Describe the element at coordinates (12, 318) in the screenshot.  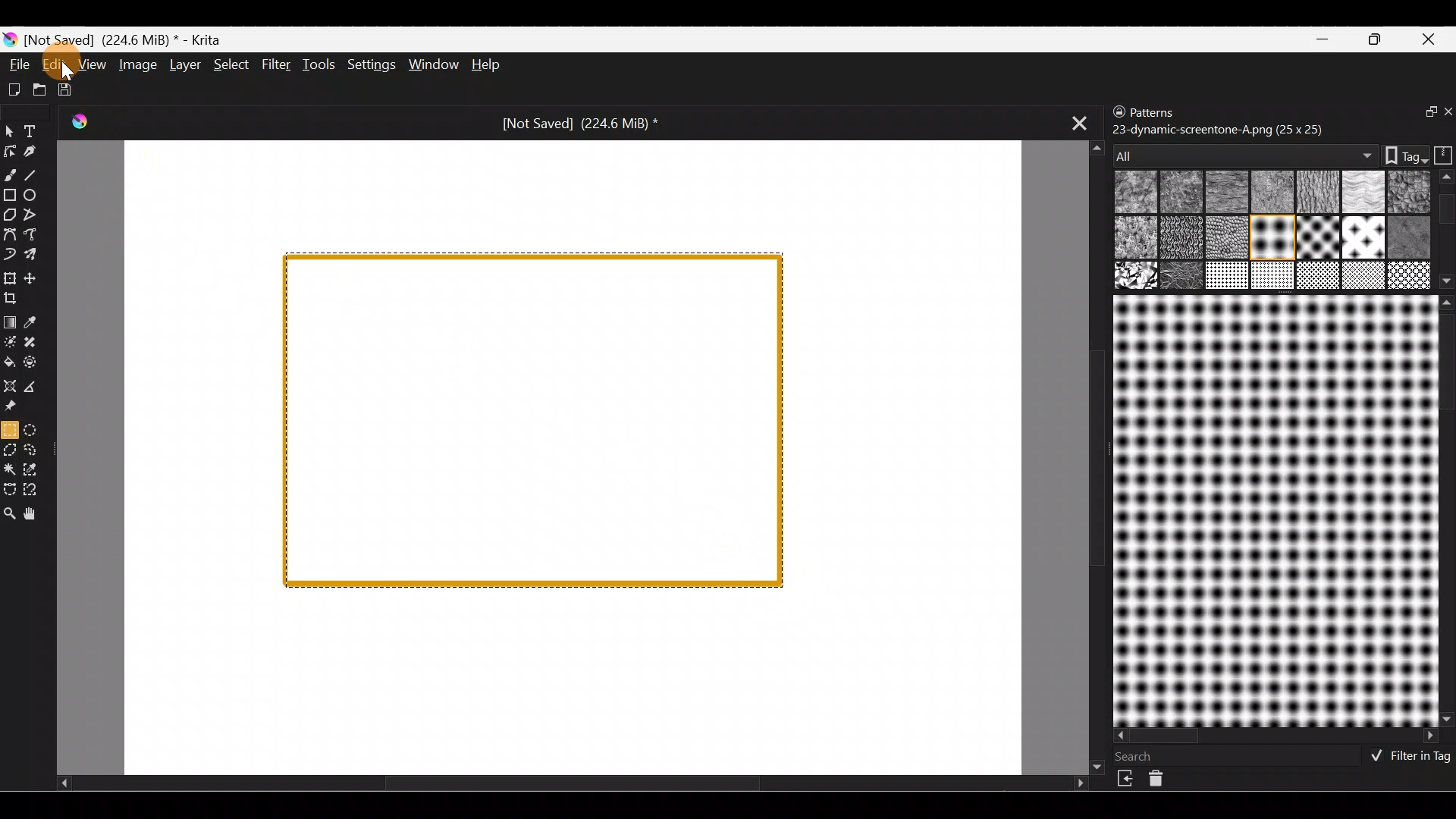
I see `Draw a gradient` at that location.